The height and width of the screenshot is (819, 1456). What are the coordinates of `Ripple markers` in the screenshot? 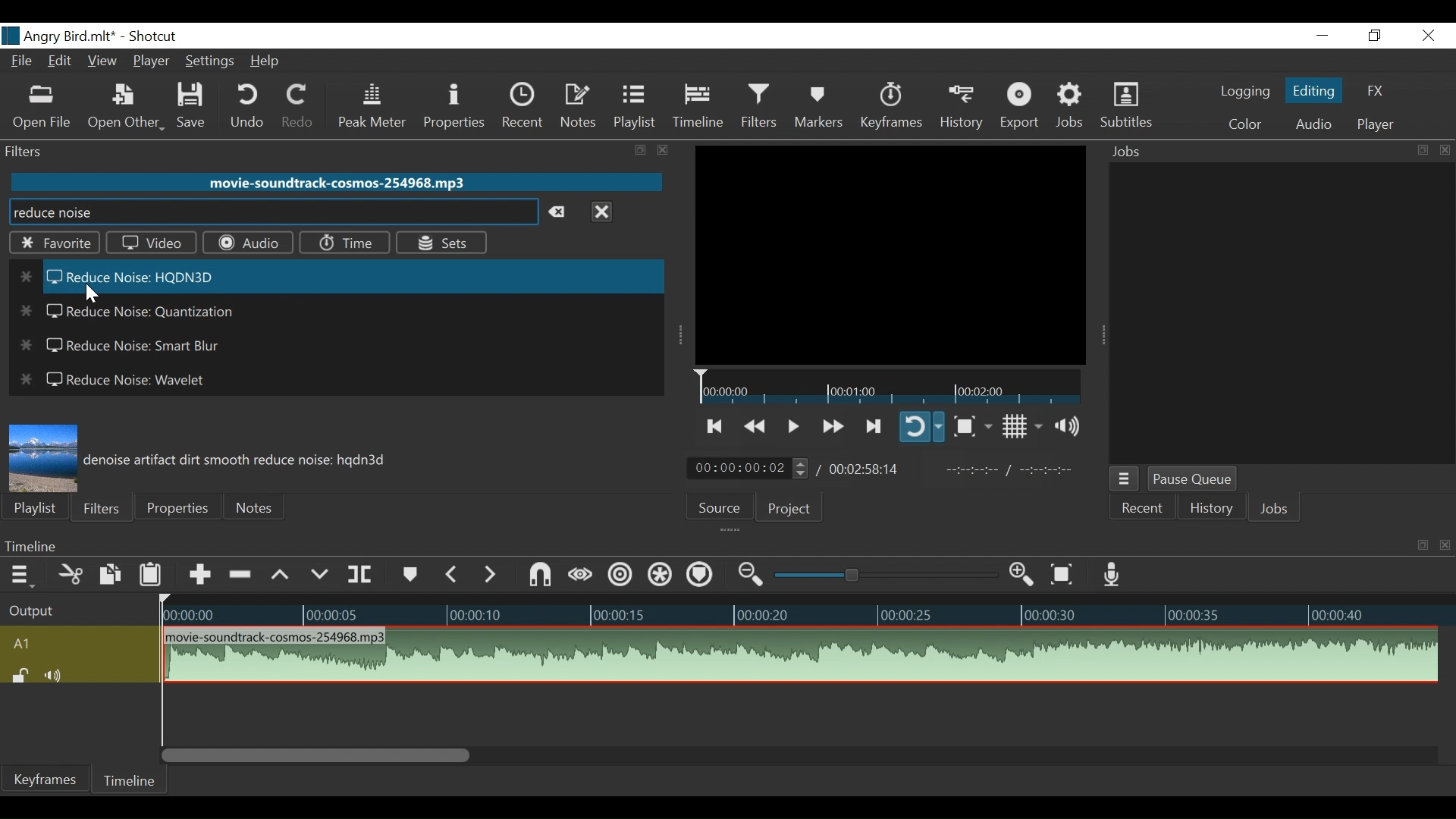 It's located at (701, 574).